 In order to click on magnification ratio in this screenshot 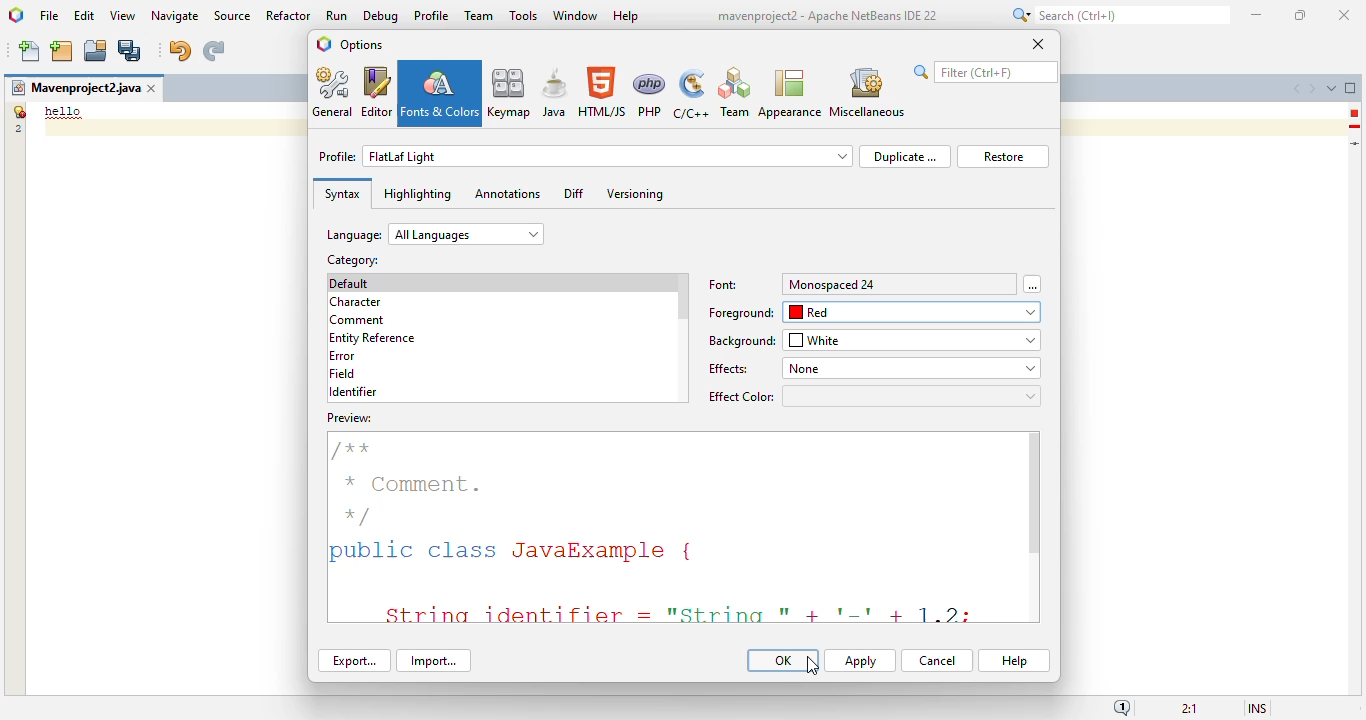, I will do `click(1188, 707)`.